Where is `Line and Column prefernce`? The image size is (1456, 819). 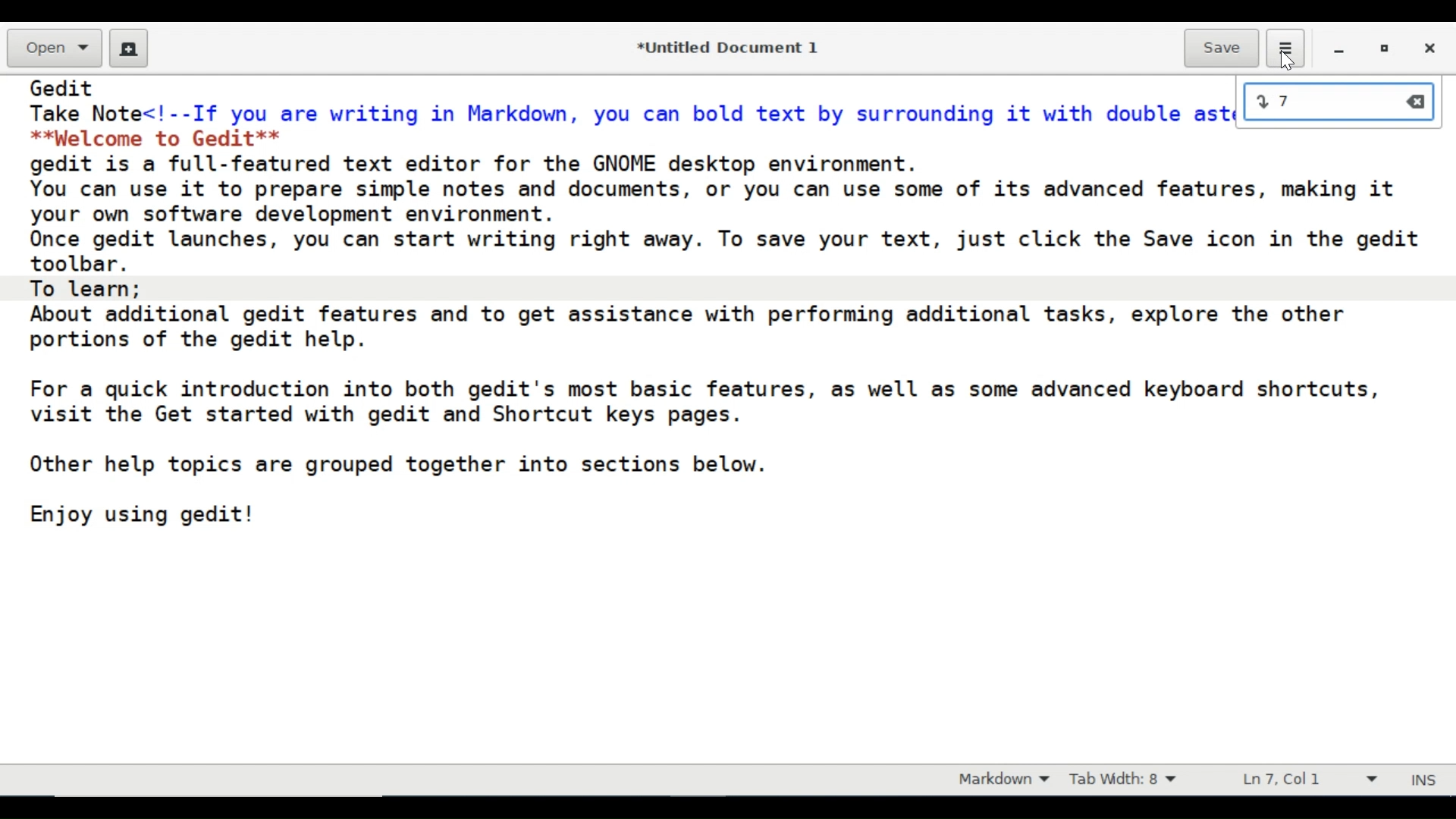
Line and Column prefernce is located at coordinates (1308, 781).